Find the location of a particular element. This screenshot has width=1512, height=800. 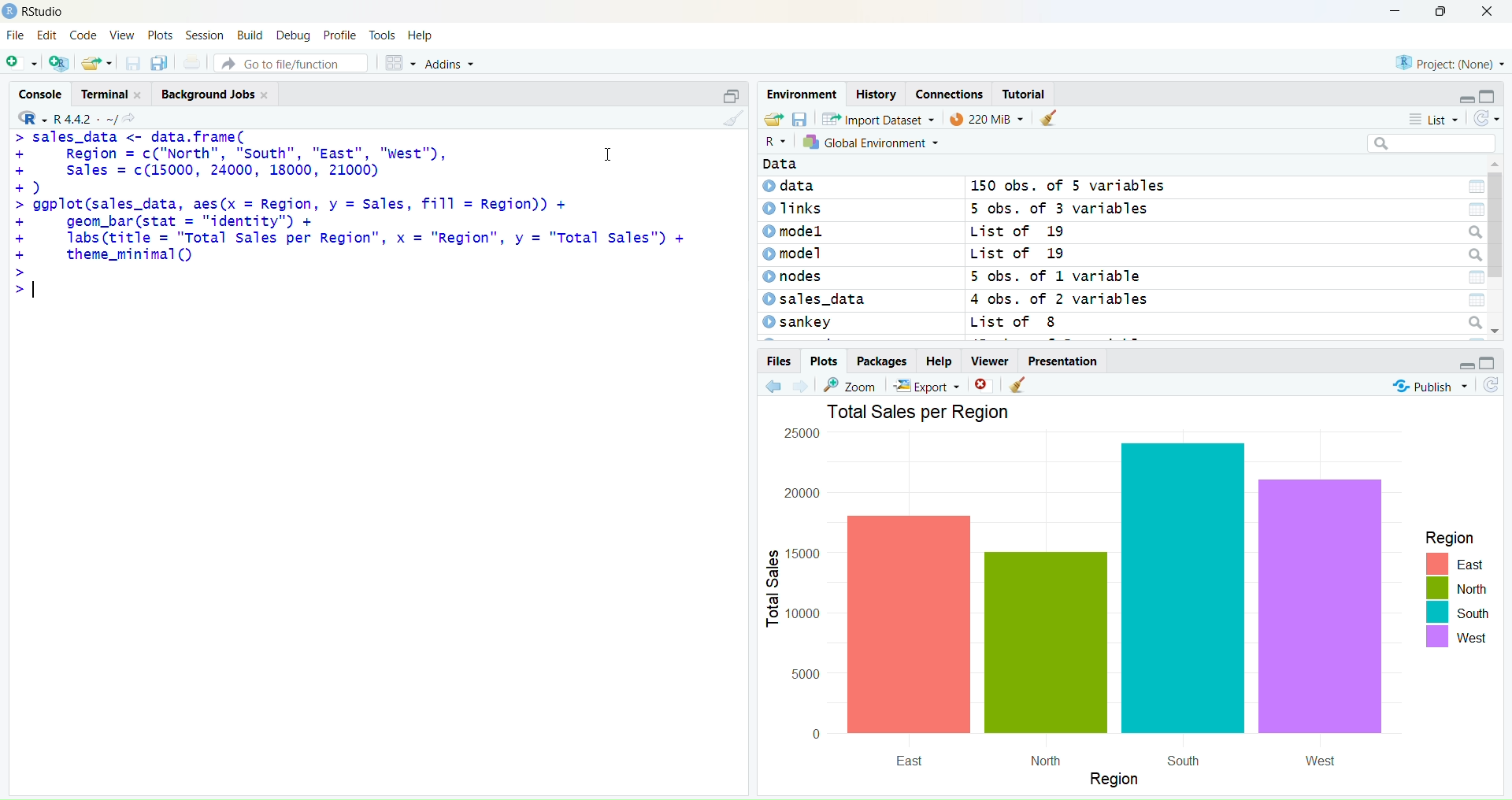

reload is located at coordinates (1495, 386).